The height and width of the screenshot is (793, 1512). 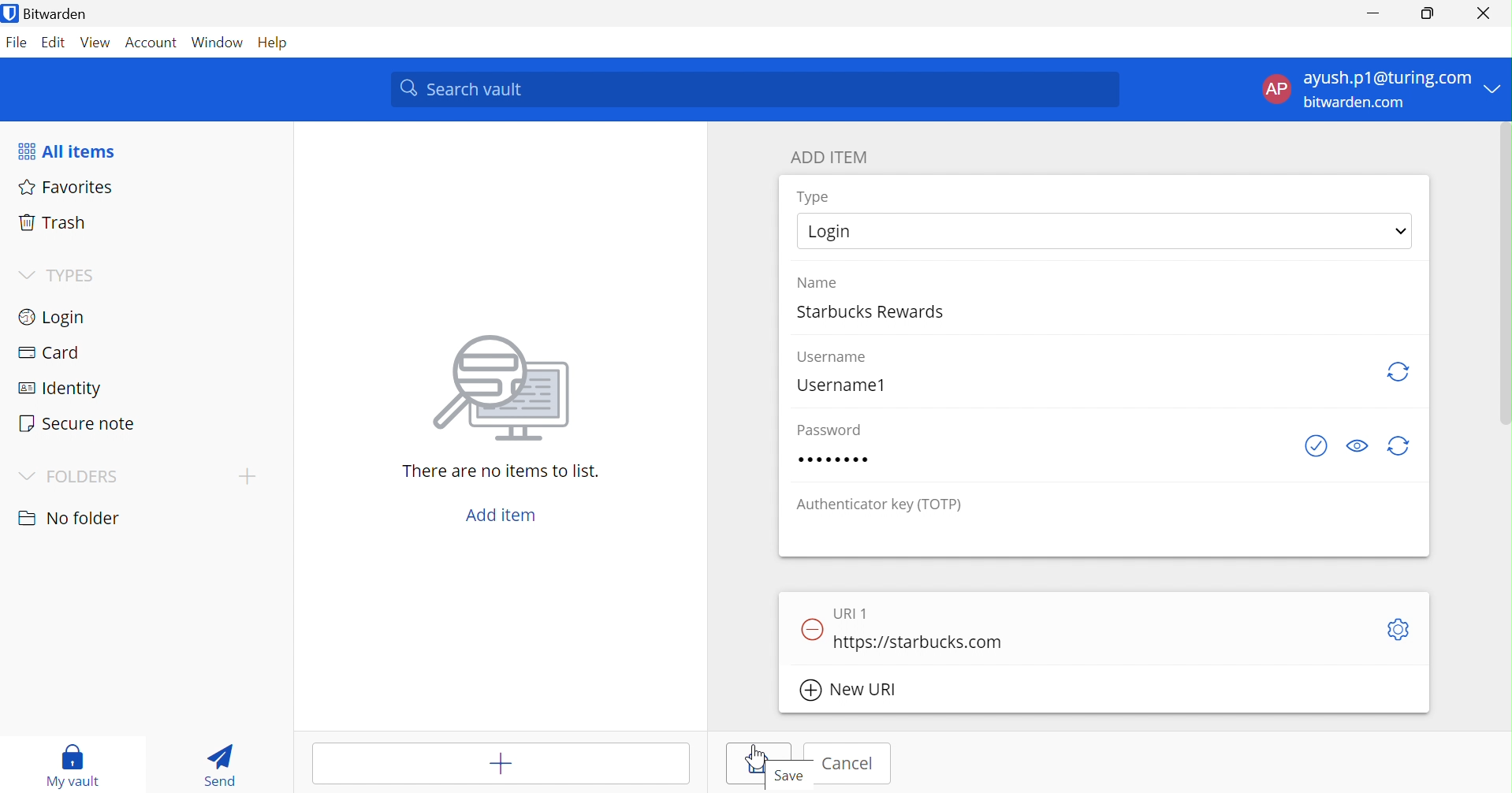 I want to click on Login, so click(x=836, y=229).